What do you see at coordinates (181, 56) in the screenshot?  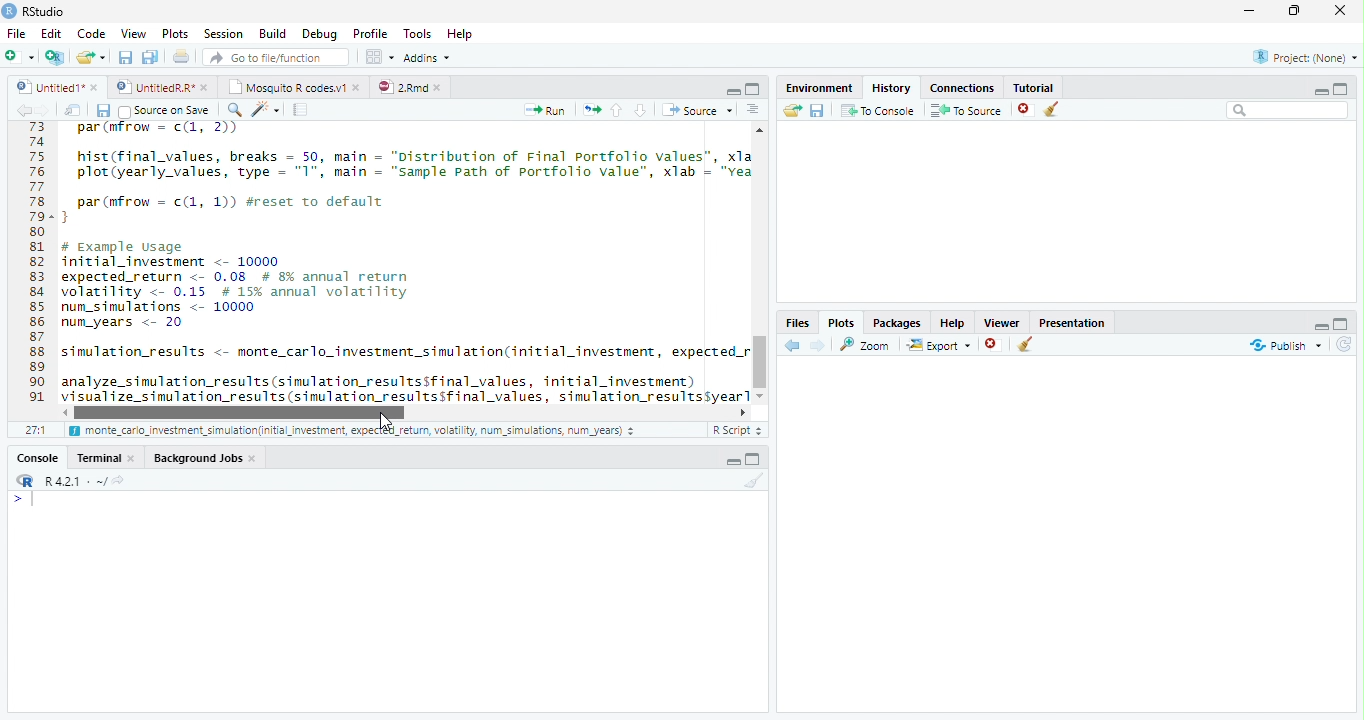 I see `Print` at bounding box center [181, 56].